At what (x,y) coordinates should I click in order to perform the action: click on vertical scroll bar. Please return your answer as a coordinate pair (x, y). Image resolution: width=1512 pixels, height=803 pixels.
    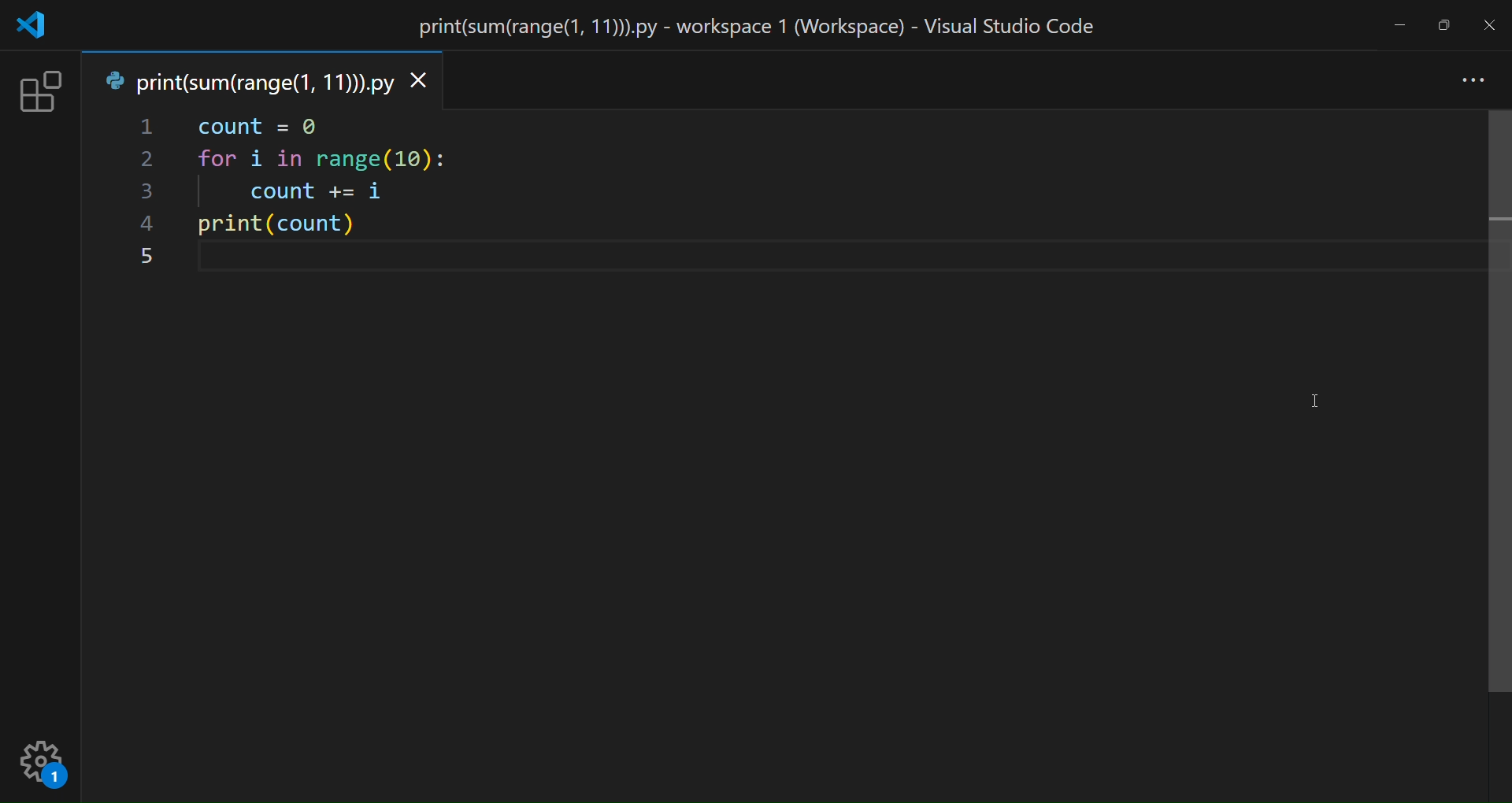
    Looking at the image, I should click on (1497, 422).